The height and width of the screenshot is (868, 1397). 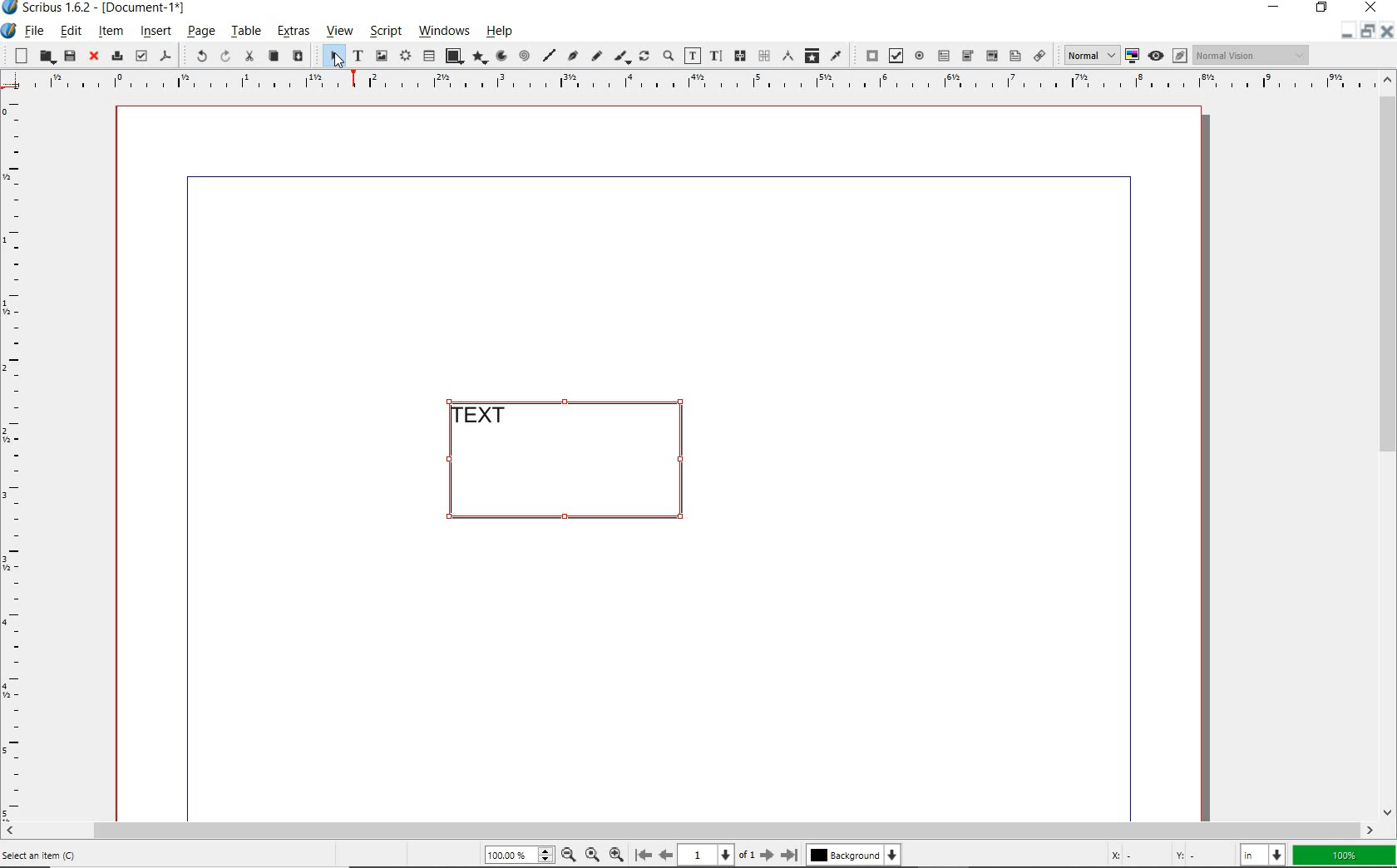 I want to click on cursor coordinates, so click(x=1164, y=855).